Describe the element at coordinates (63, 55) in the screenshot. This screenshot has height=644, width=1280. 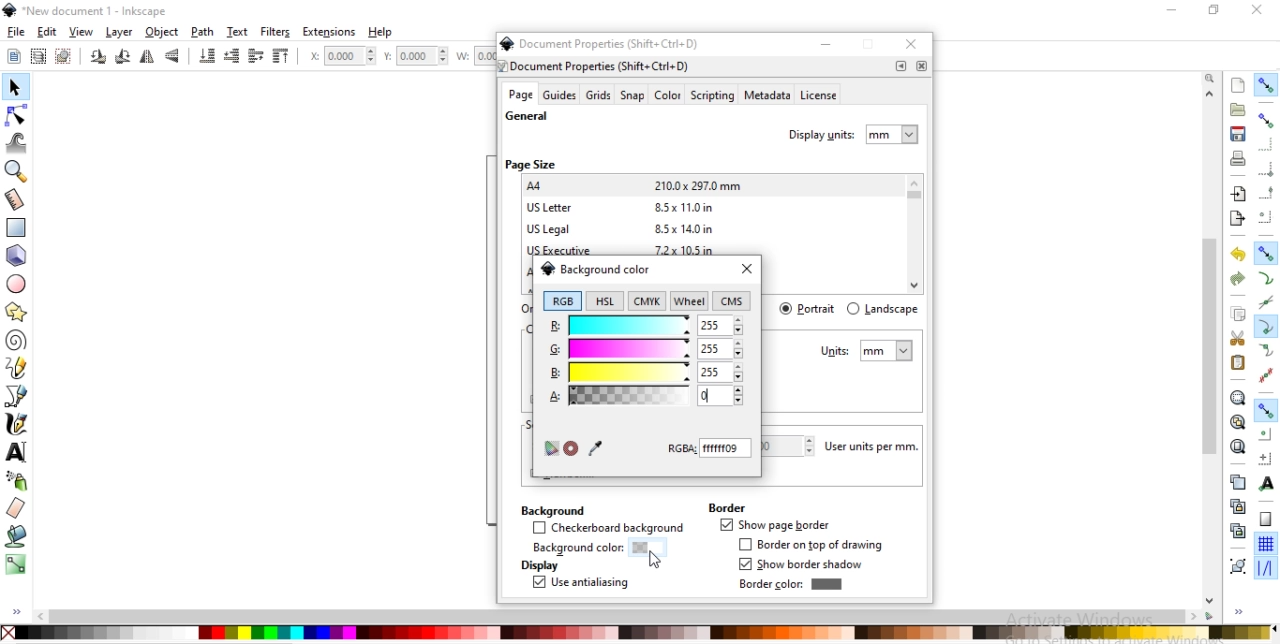
I see `deselct any selected objects or nodes` at that location.